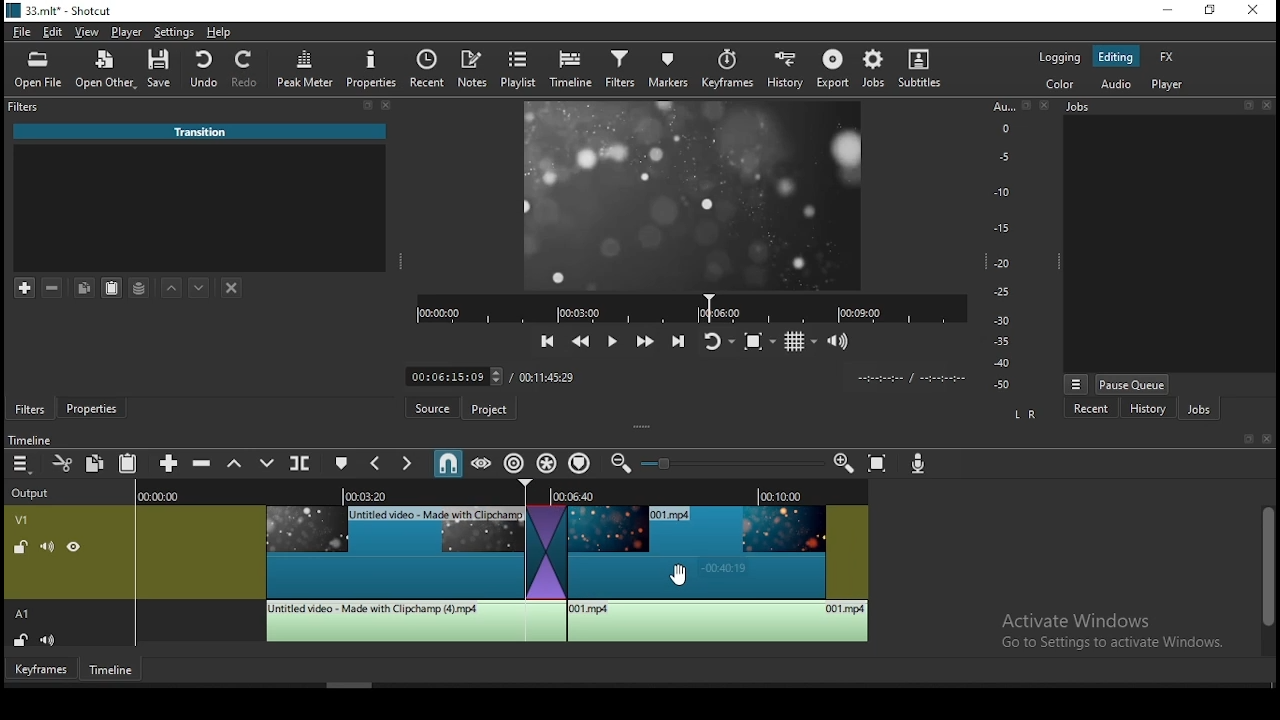  Describe the element at coordinates (678, 342) in the screenshot. I see `skip to next point` at that location.